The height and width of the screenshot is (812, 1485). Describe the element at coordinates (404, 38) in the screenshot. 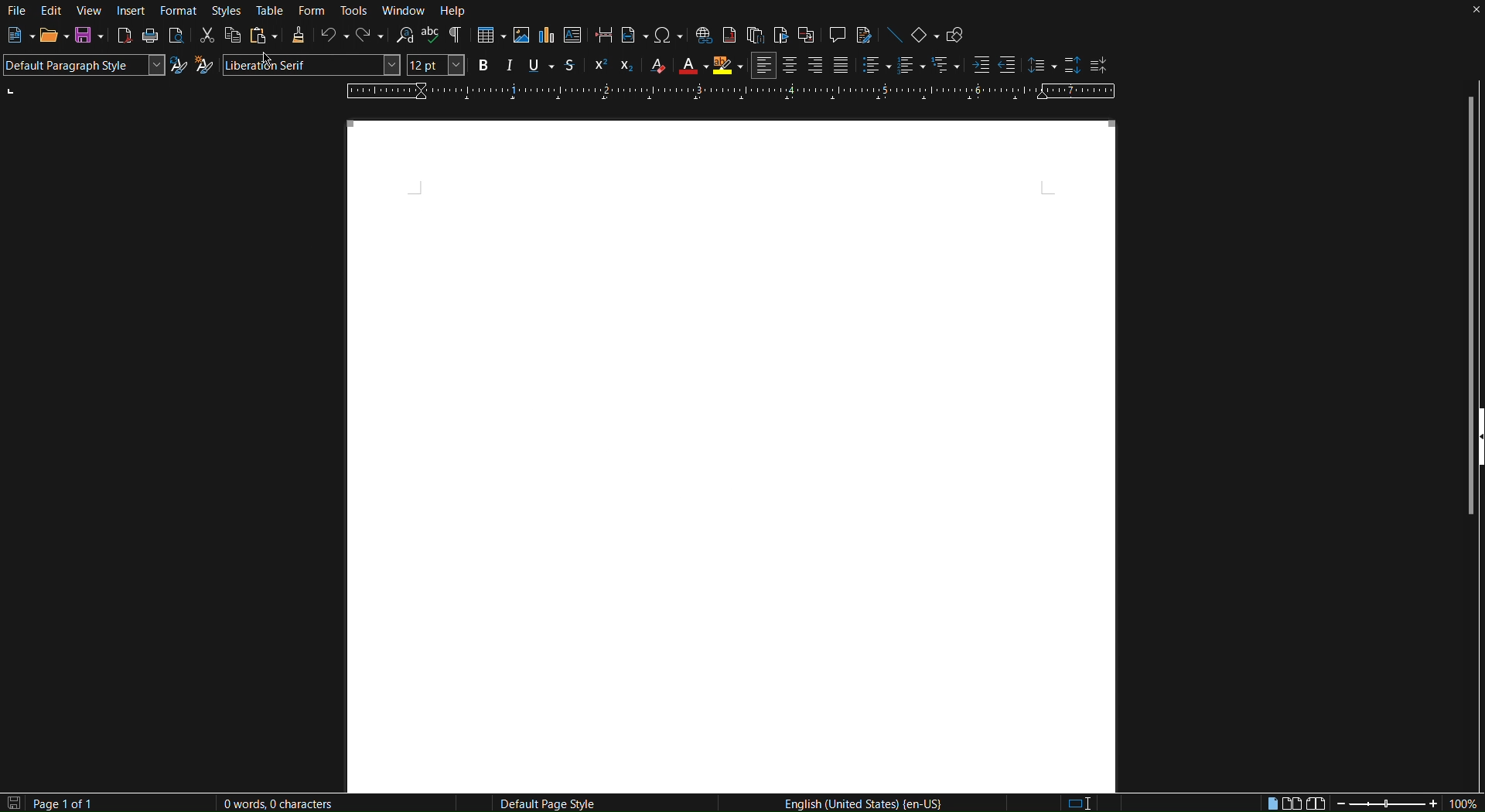

I see `Find and Replace` at that location.